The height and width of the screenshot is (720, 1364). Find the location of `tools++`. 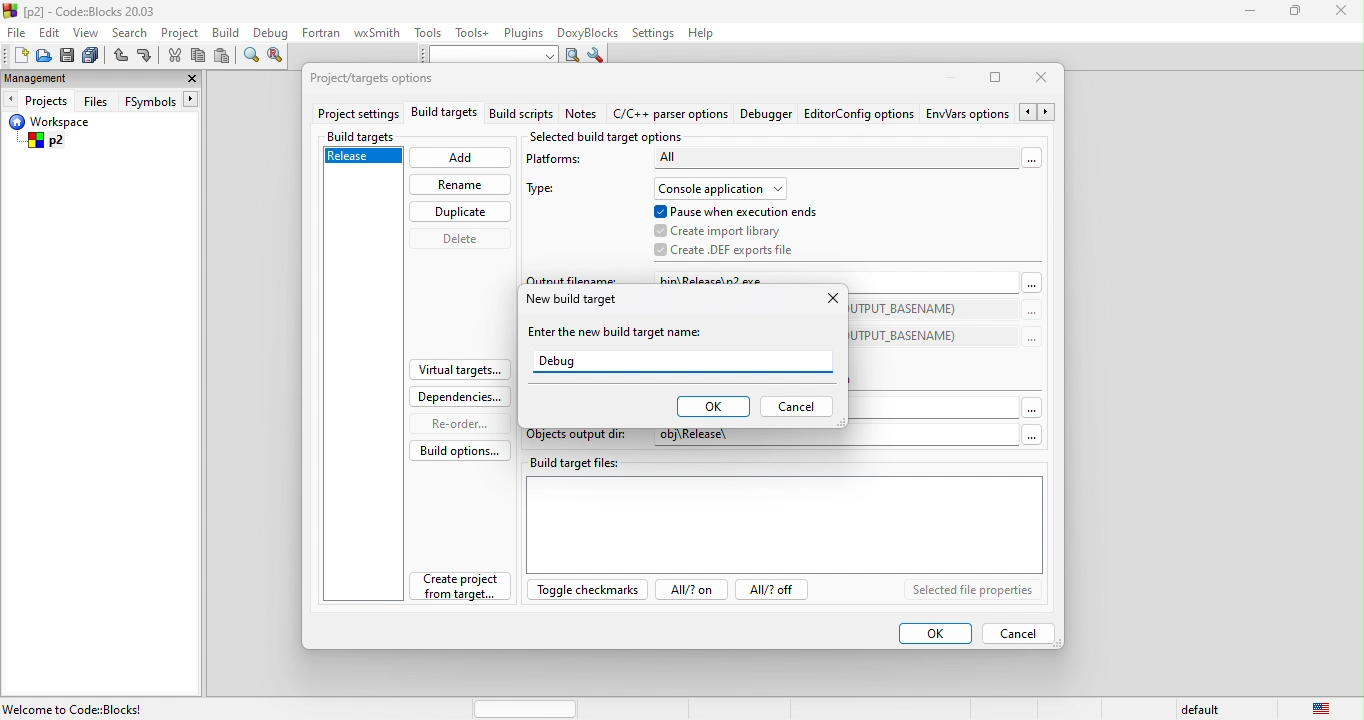

tools++ is located at coordinates (473, 32).